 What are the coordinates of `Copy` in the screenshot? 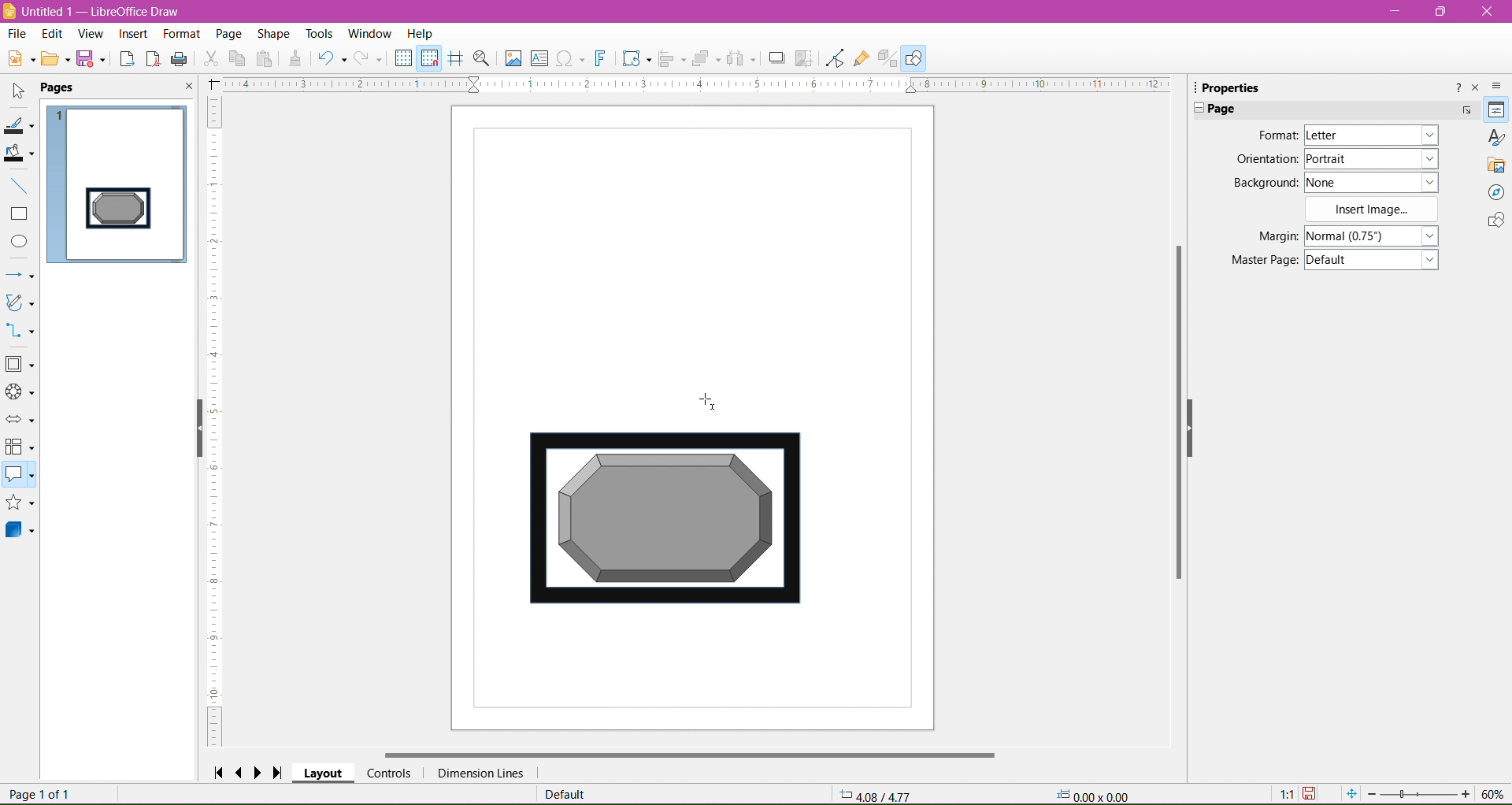 It's located at (238, 58).